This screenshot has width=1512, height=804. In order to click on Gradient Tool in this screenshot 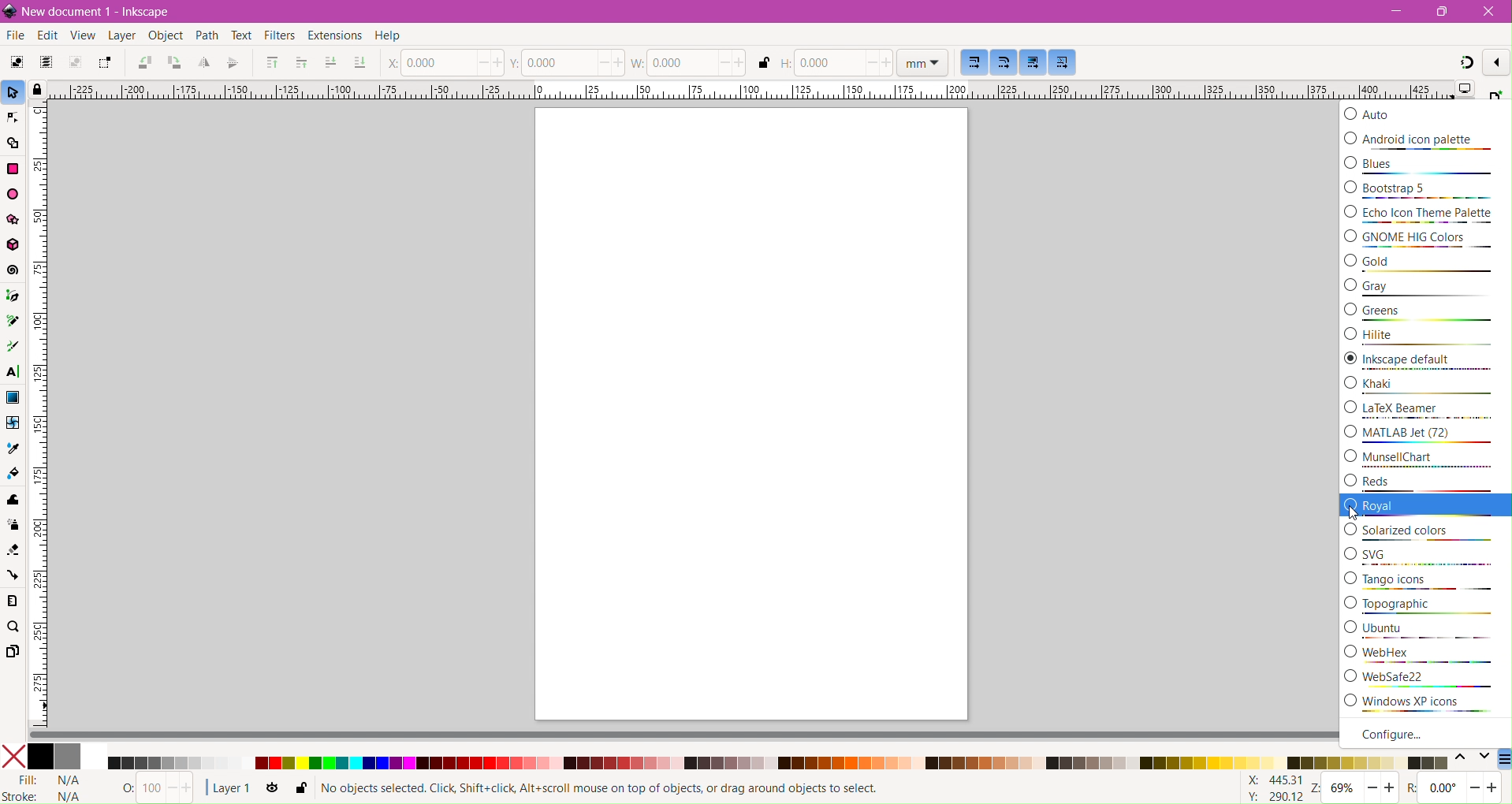, I will do `click(13, 396)`.